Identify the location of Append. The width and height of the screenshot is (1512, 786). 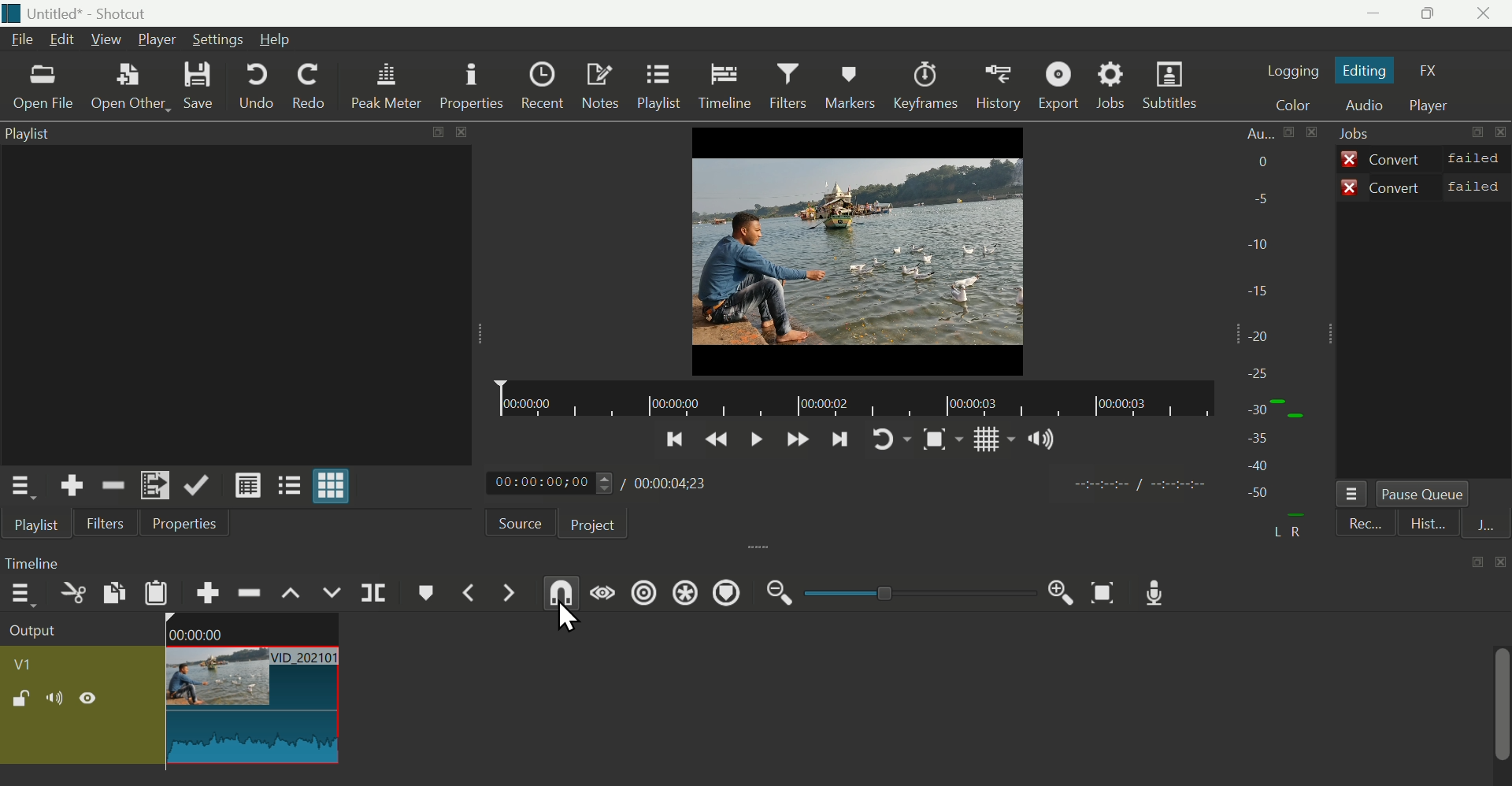
(206, 592).